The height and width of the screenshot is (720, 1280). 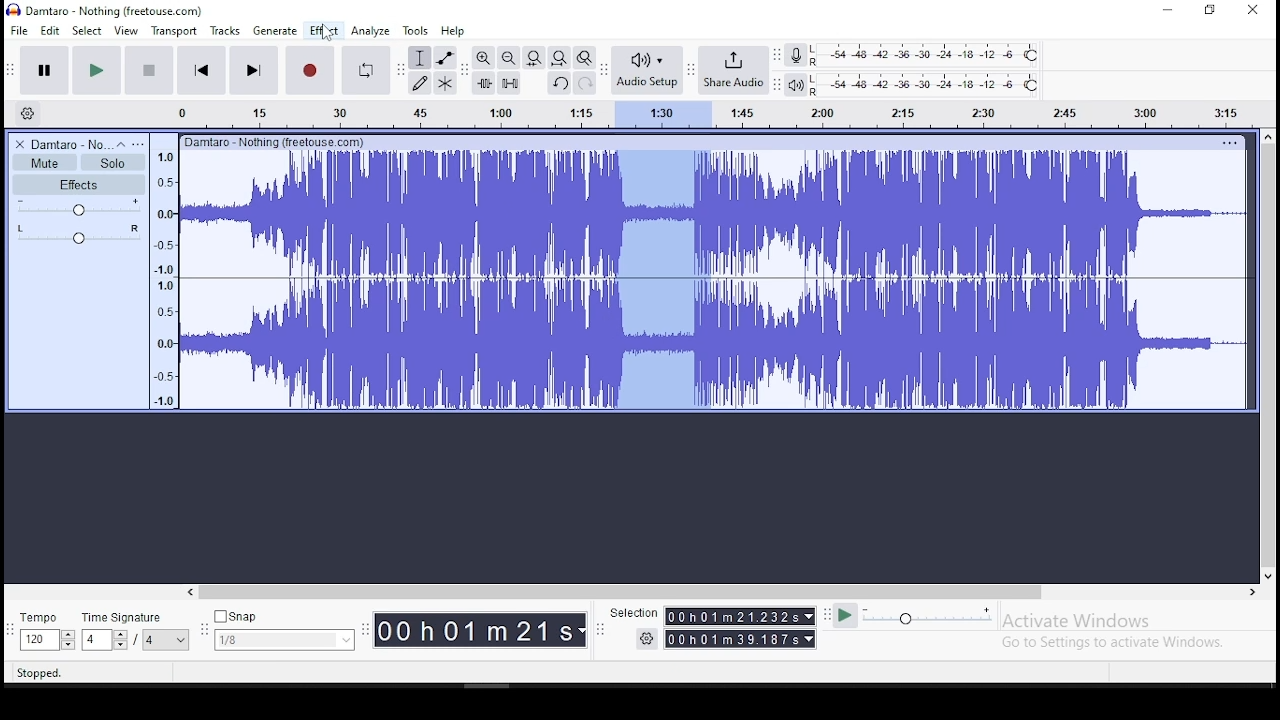 I want to click on timeline settings, so click(x=26, y=112).